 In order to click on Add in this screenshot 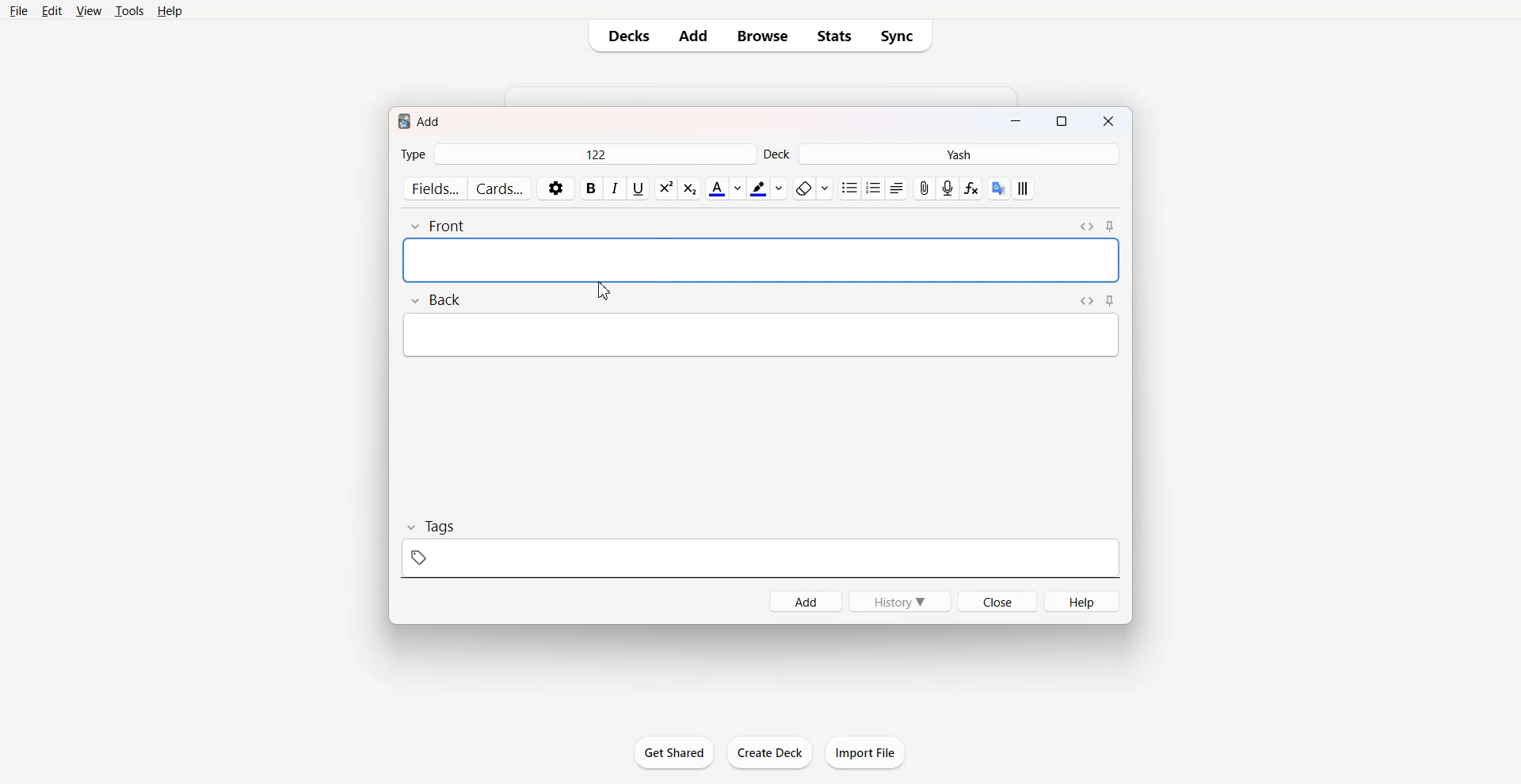, I will do `click(805, 600)`.